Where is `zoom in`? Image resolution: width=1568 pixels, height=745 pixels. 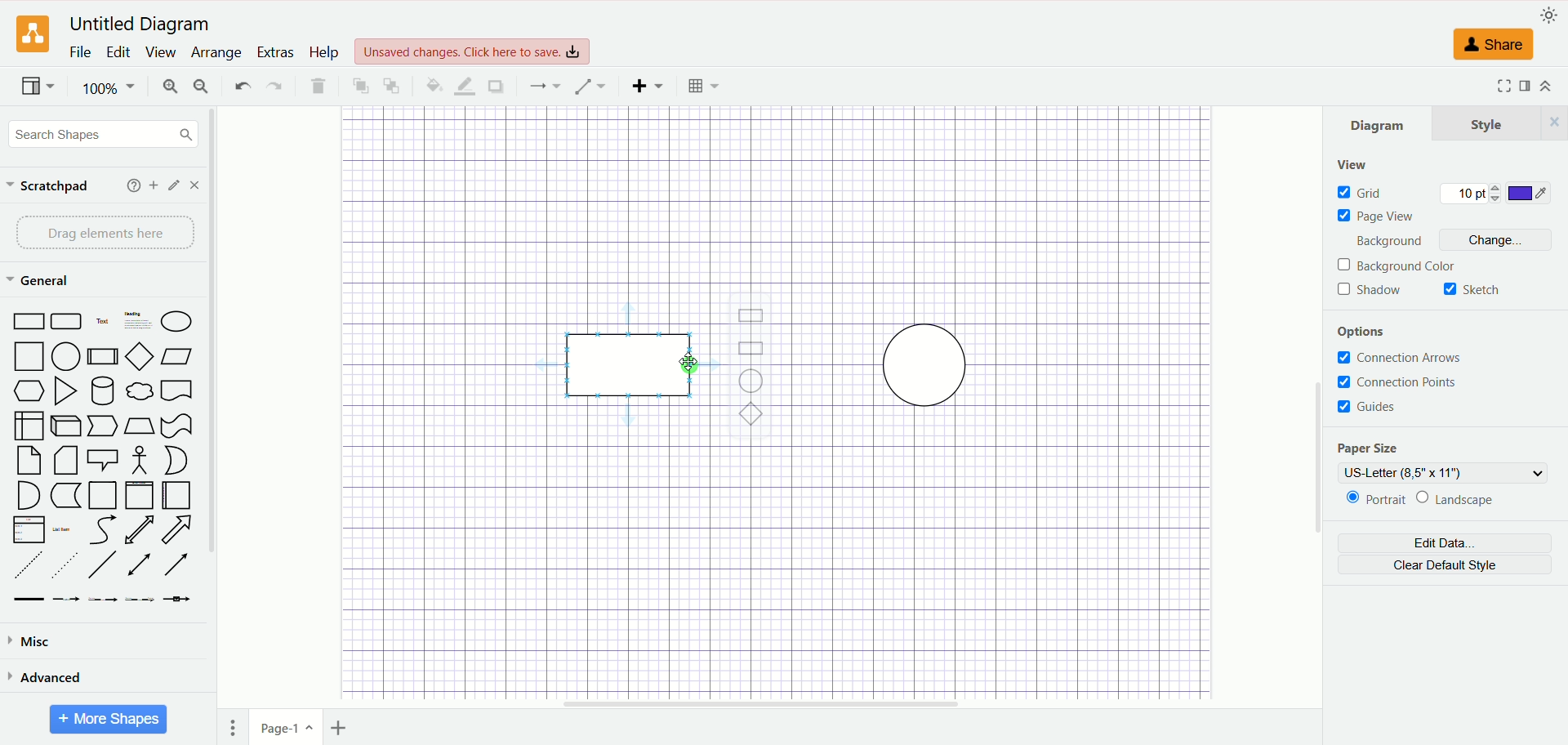
zoom in is located at coordinates (170, 87).